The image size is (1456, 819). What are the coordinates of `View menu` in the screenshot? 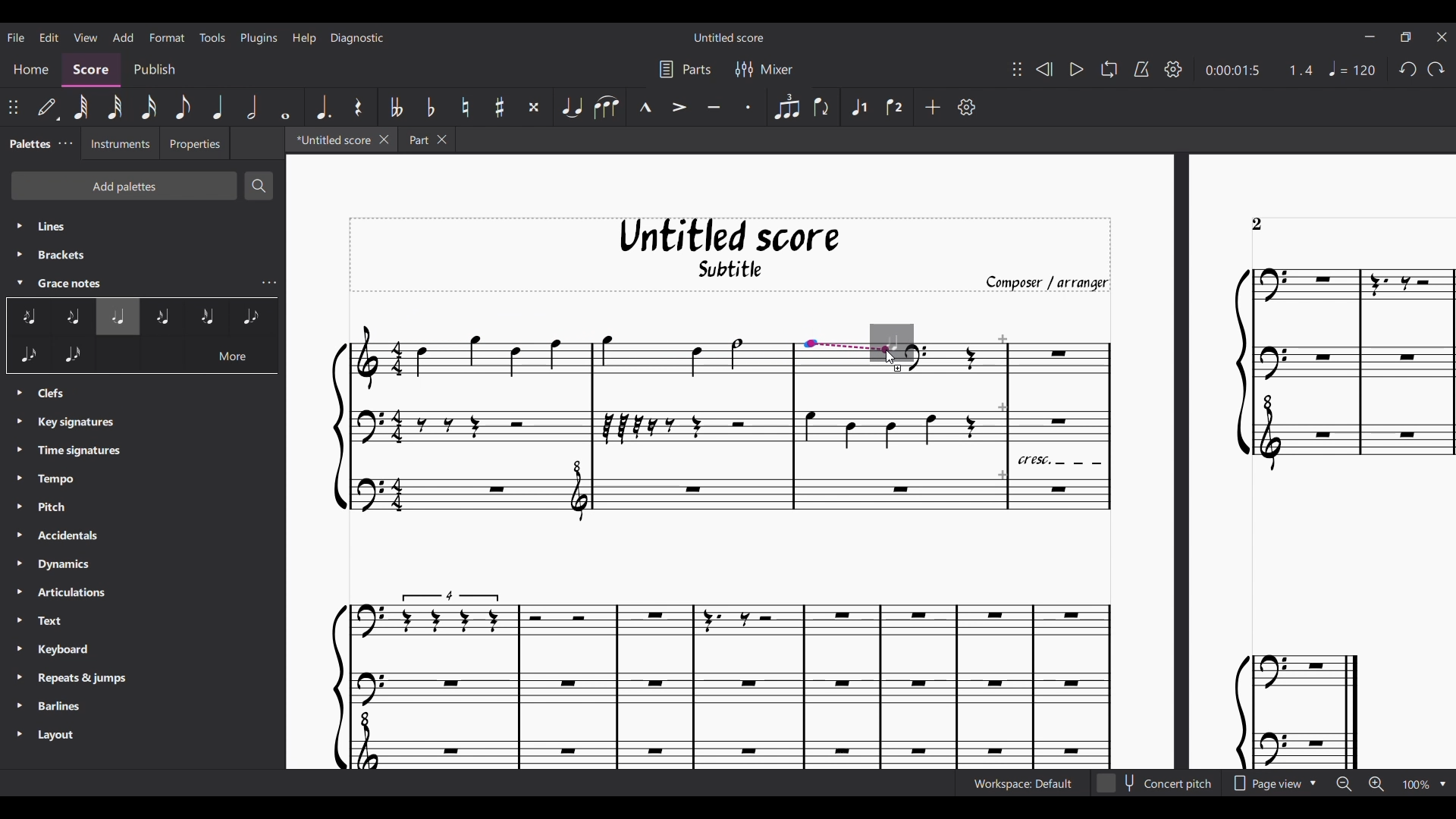 It's located at (84, 37).